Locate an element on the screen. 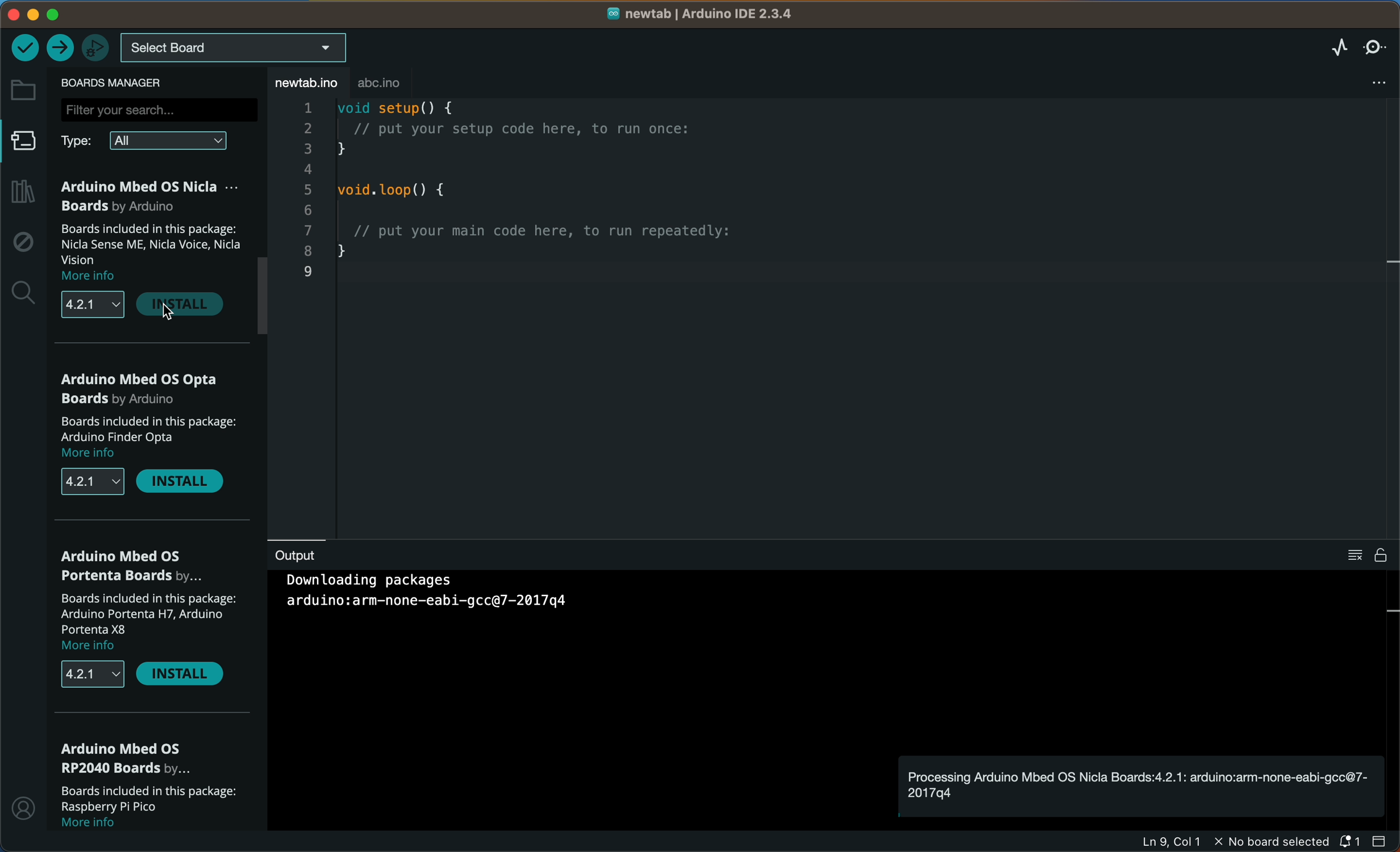 This screenshot has height=852, width=1400. versions is located at coordinates (93, 484).